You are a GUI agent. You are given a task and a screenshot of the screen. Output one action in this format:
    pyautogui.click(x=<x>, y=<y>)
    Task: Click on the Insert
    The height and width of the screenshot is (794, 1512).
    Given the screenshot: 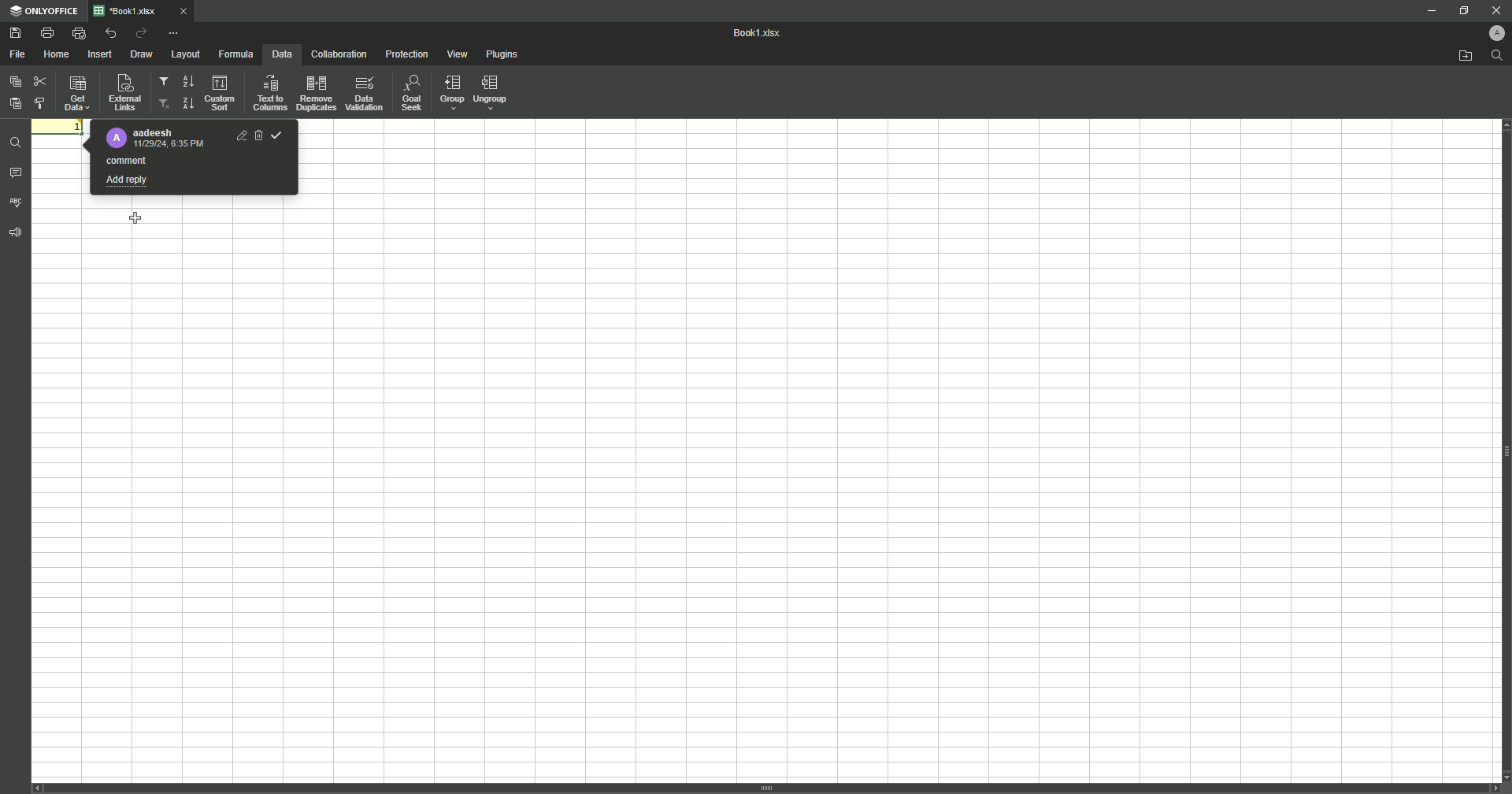 What is the action you would take?
    pyautogui.click(x=100, y=54)
    